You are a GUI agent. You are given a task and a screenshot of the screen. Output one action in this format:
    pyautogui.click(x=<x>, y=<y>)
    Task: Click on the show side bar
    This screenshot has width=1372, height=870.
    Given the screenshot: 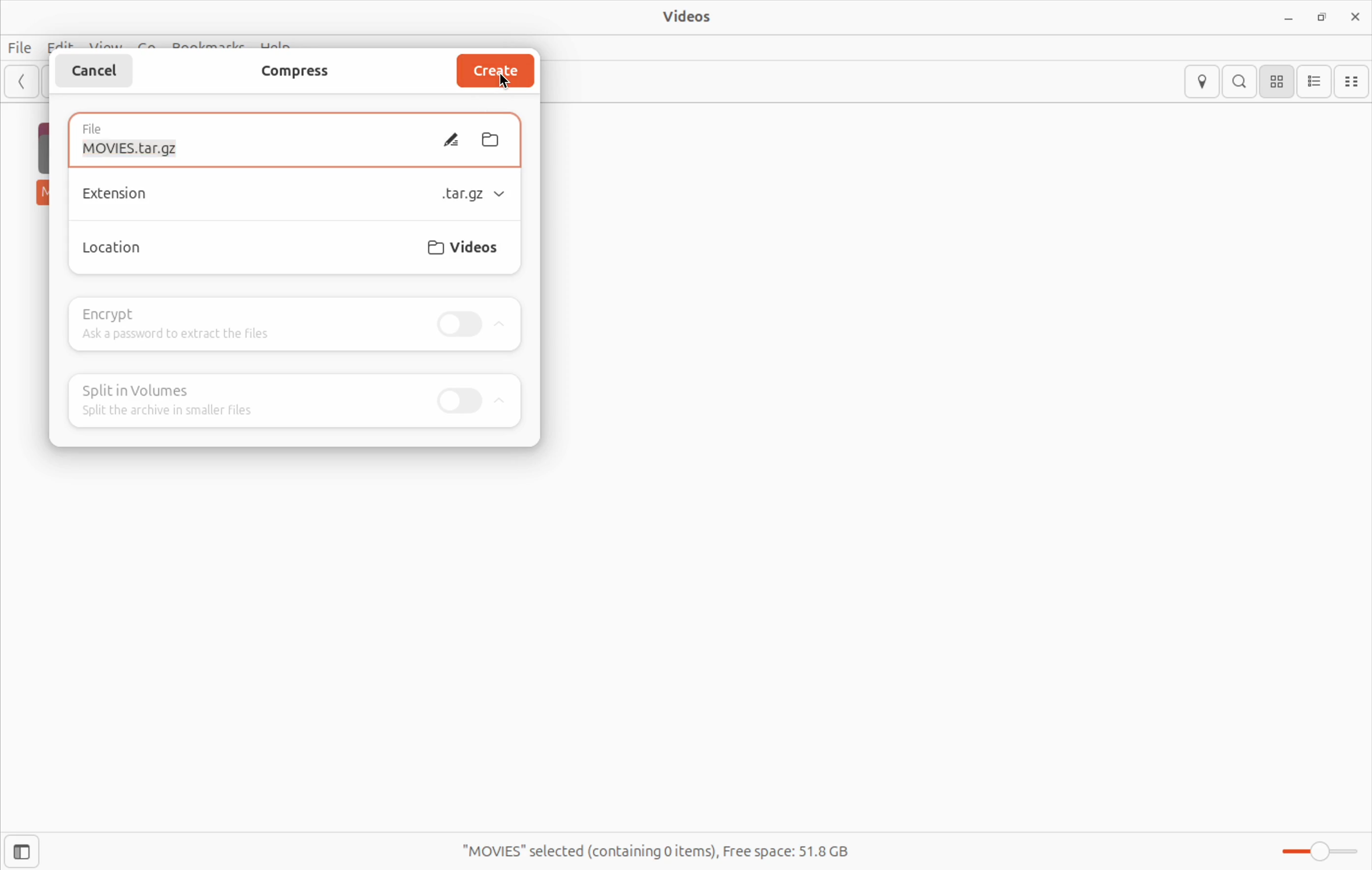 What is the action you would take?
    pyautogui.click(x=22, y=852)
    